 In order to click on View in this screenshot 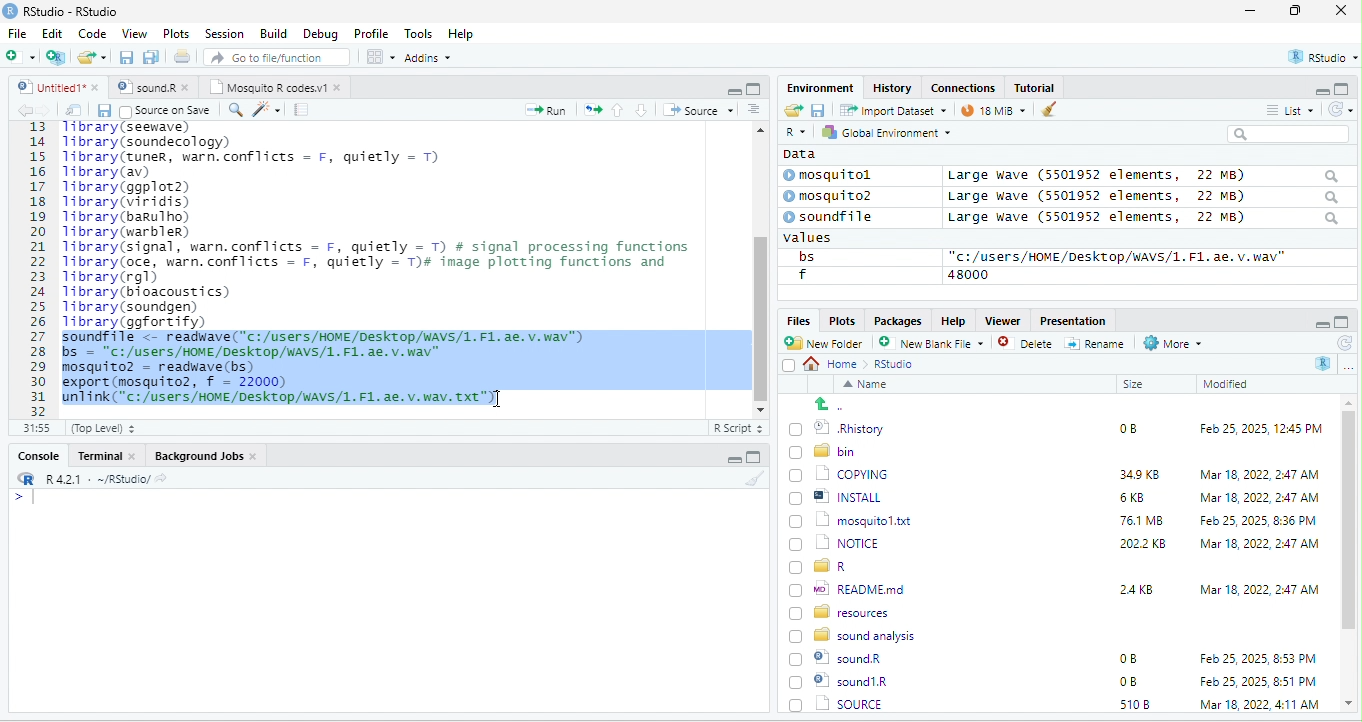, I will do `click(133, 35)`.